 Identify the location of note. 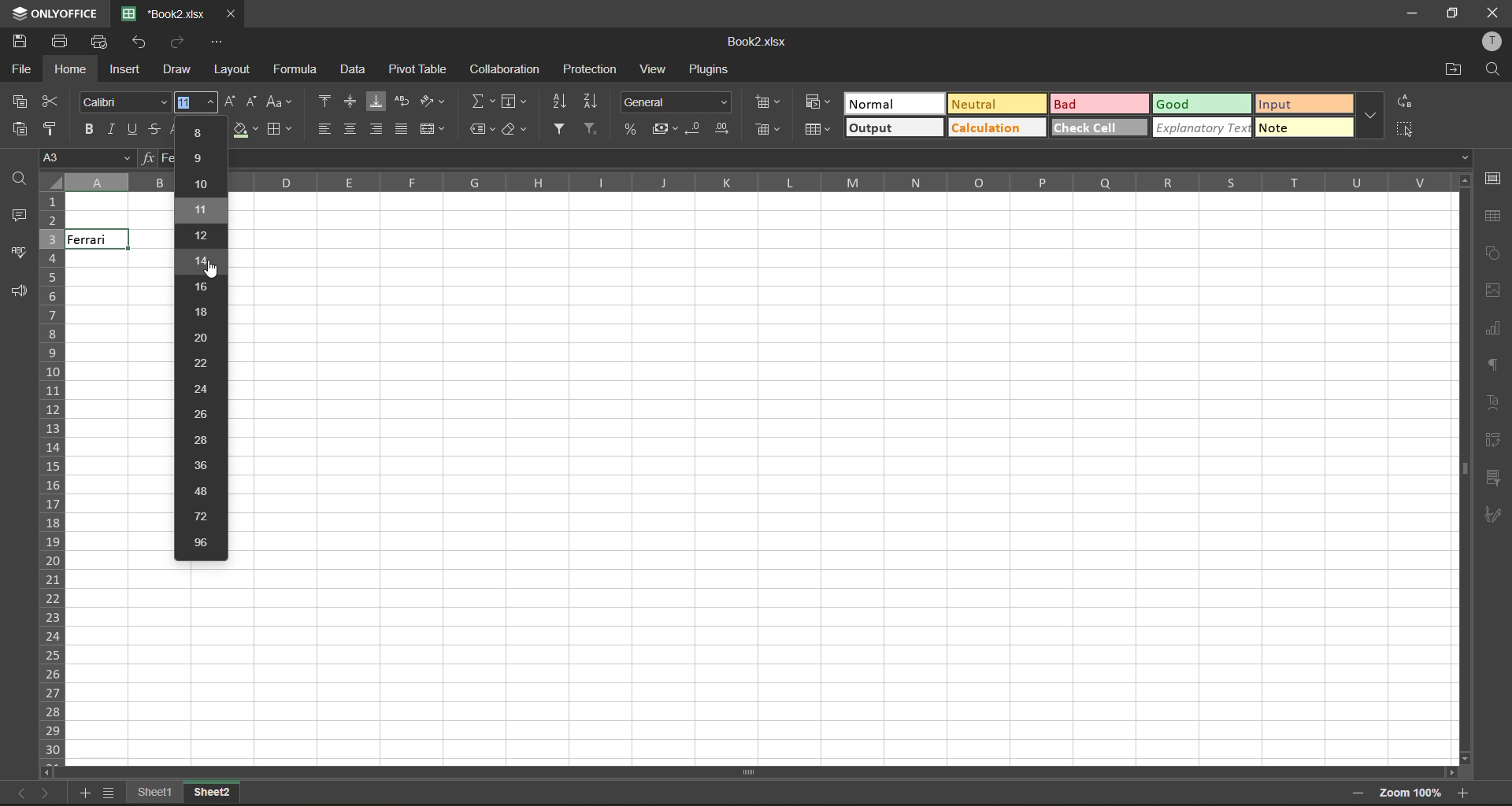
(1305, 130).